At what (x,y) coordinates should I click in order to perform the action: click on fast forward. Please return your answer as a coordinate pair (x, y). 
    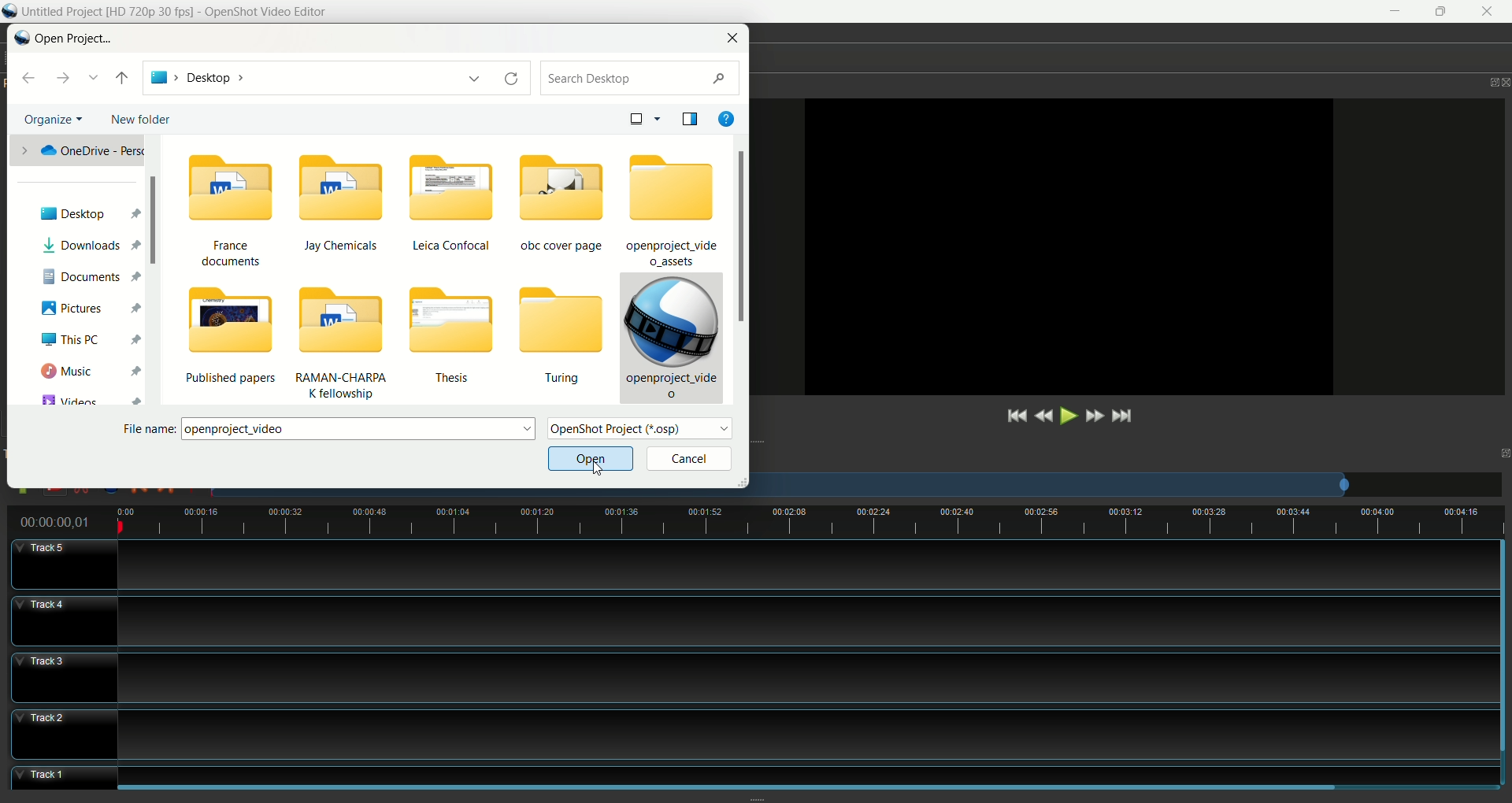
    Looking at the image, I should click on (1093, 415).